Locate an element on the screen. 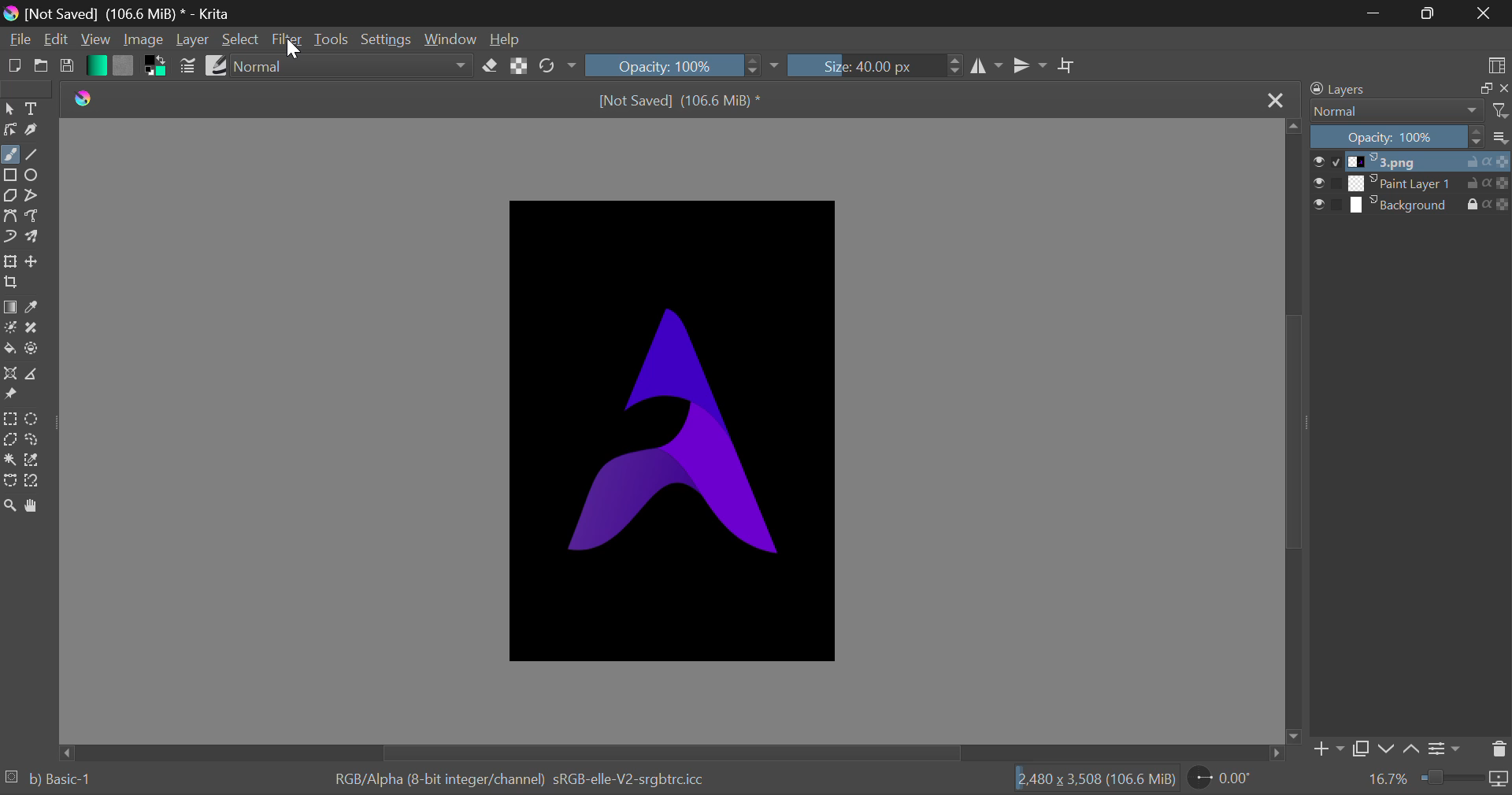 This screenshot has height=795, width=1512. New is located at coordinates (14, 68).